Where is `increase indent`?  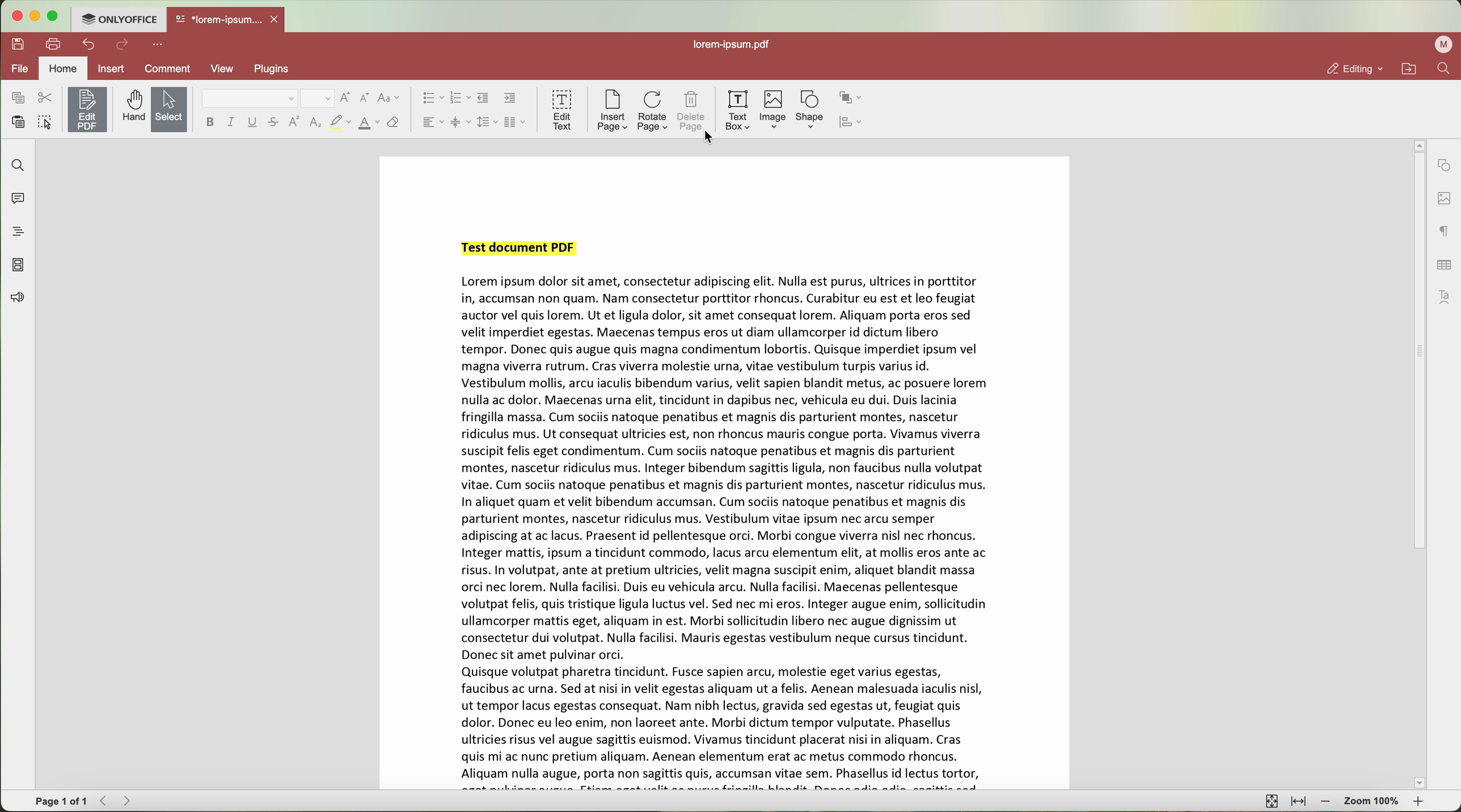 increase indent is located at coordinates (510, 99).